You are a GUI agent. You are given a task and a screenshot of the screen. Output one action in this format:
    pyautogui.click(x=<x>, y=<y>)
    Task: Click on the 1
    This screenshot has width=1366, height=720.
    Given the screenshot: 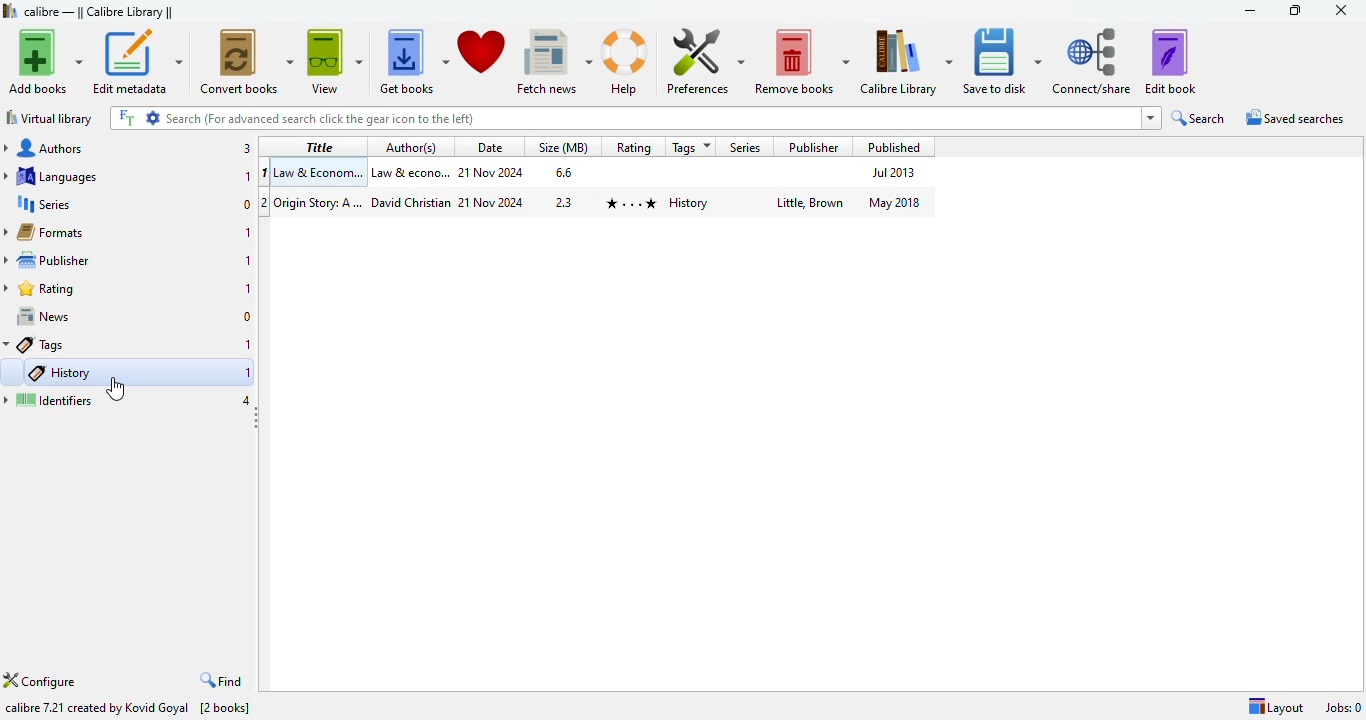 What is the action you would take?
    pyautogui.click(x=248, y=345)
    